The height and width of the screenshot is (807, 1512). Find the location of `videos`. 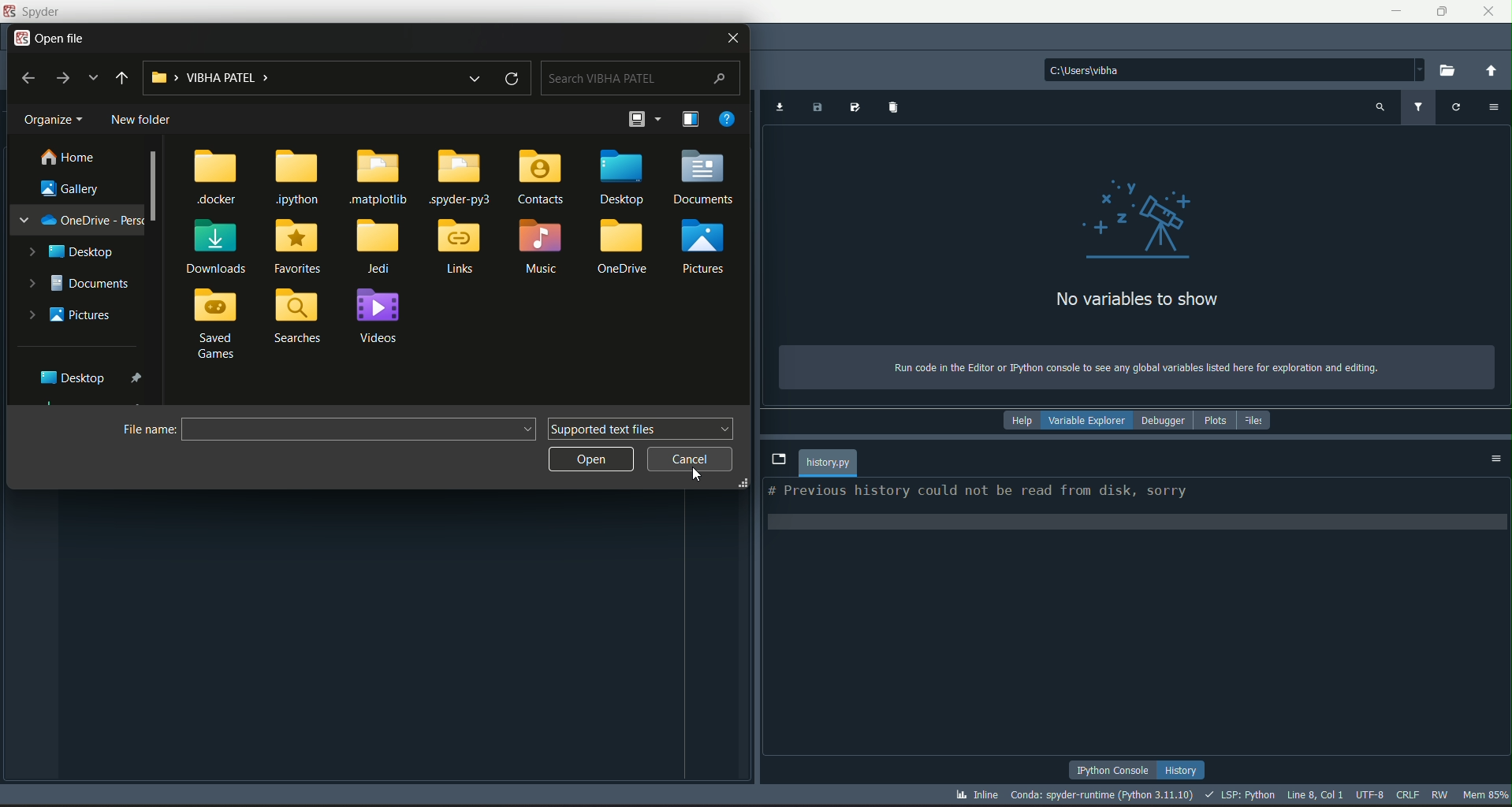

videos is located at coordinates (381, 316).